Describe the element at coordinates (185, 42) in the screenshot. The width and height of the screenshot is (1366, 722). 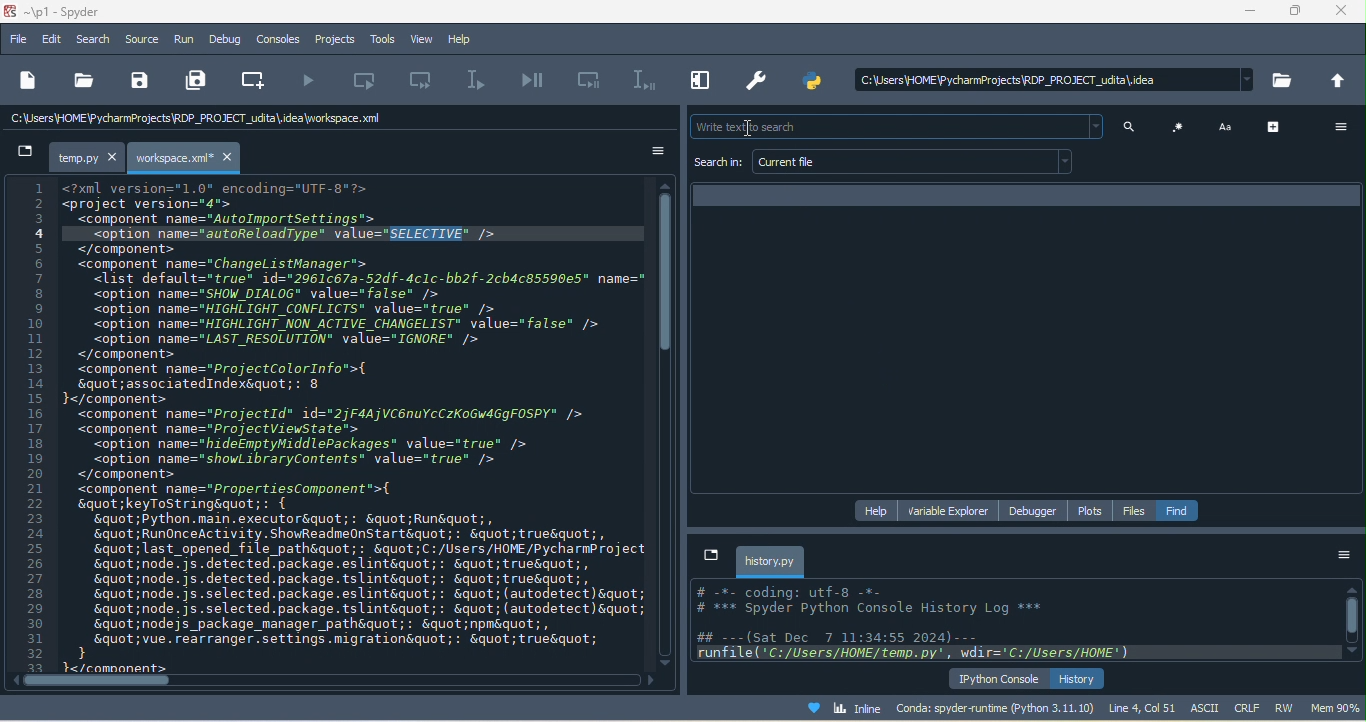
I see `run` at that location.